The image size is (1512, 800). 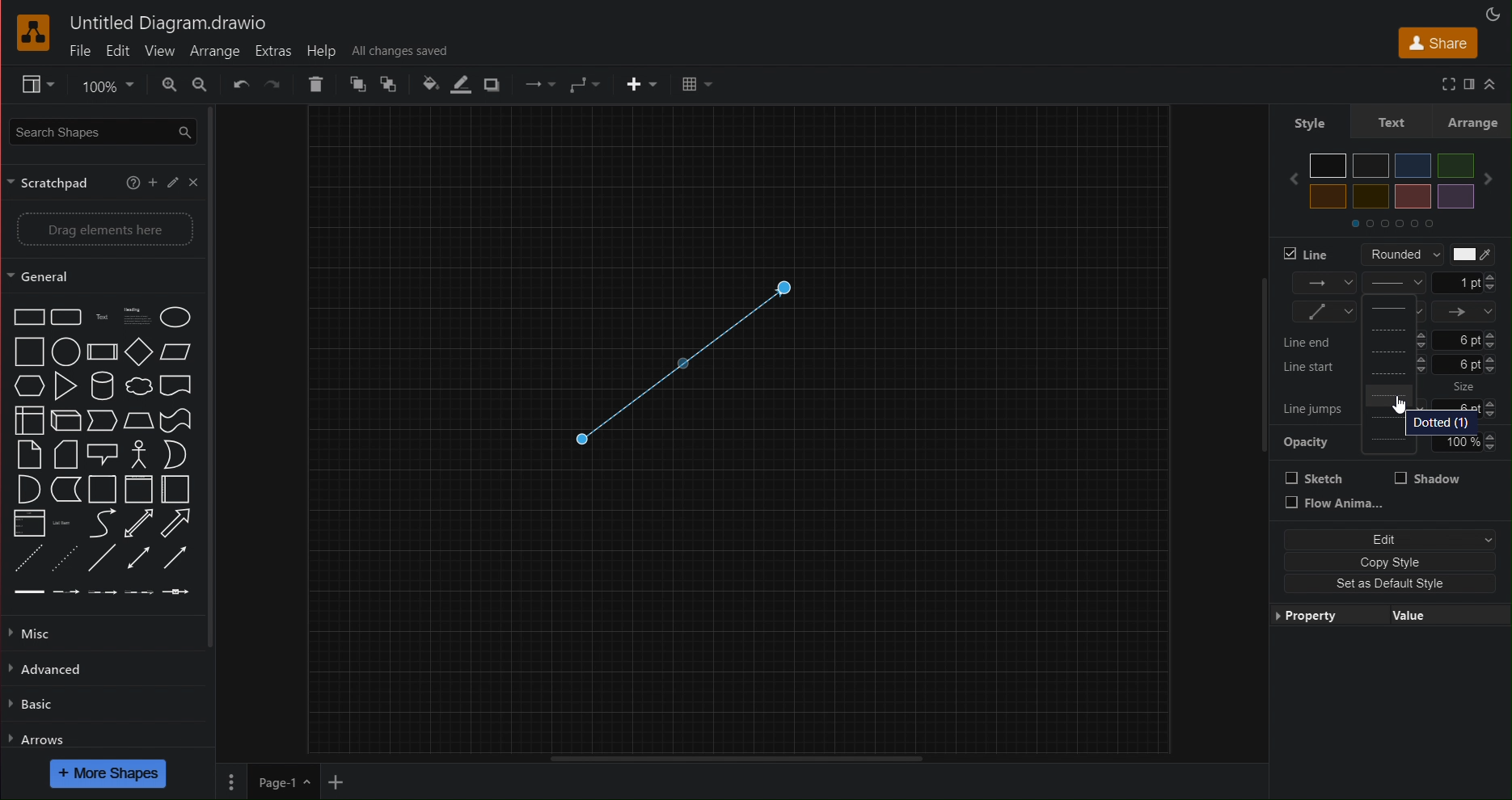 What do you see at coordinates (1473, 122) in the screenshot?
I see `Arrange` at bounding box center [1473, 122].